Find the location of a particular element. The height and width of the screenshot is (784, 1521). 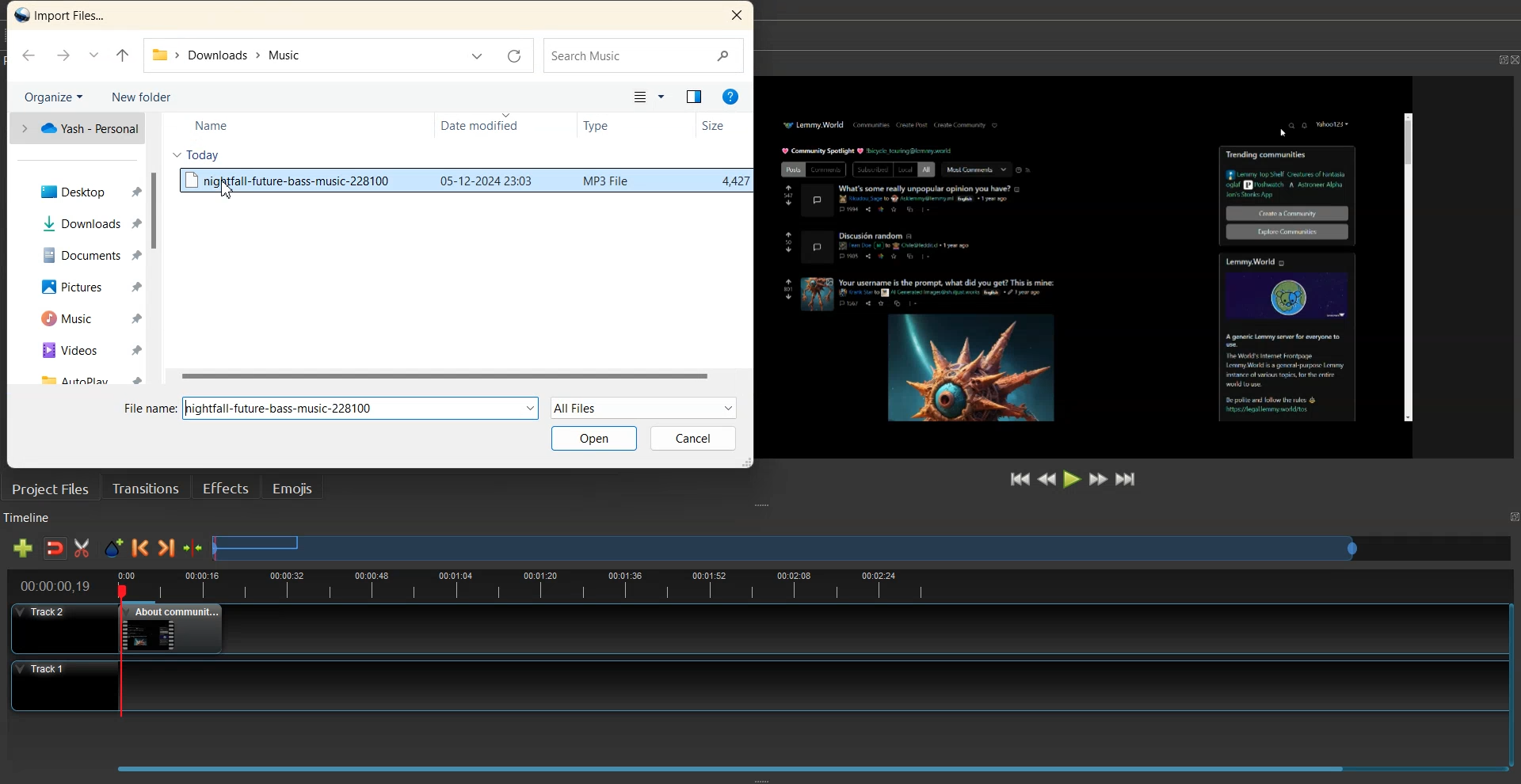

Window Adjuster is located at coordinates (764, 506).